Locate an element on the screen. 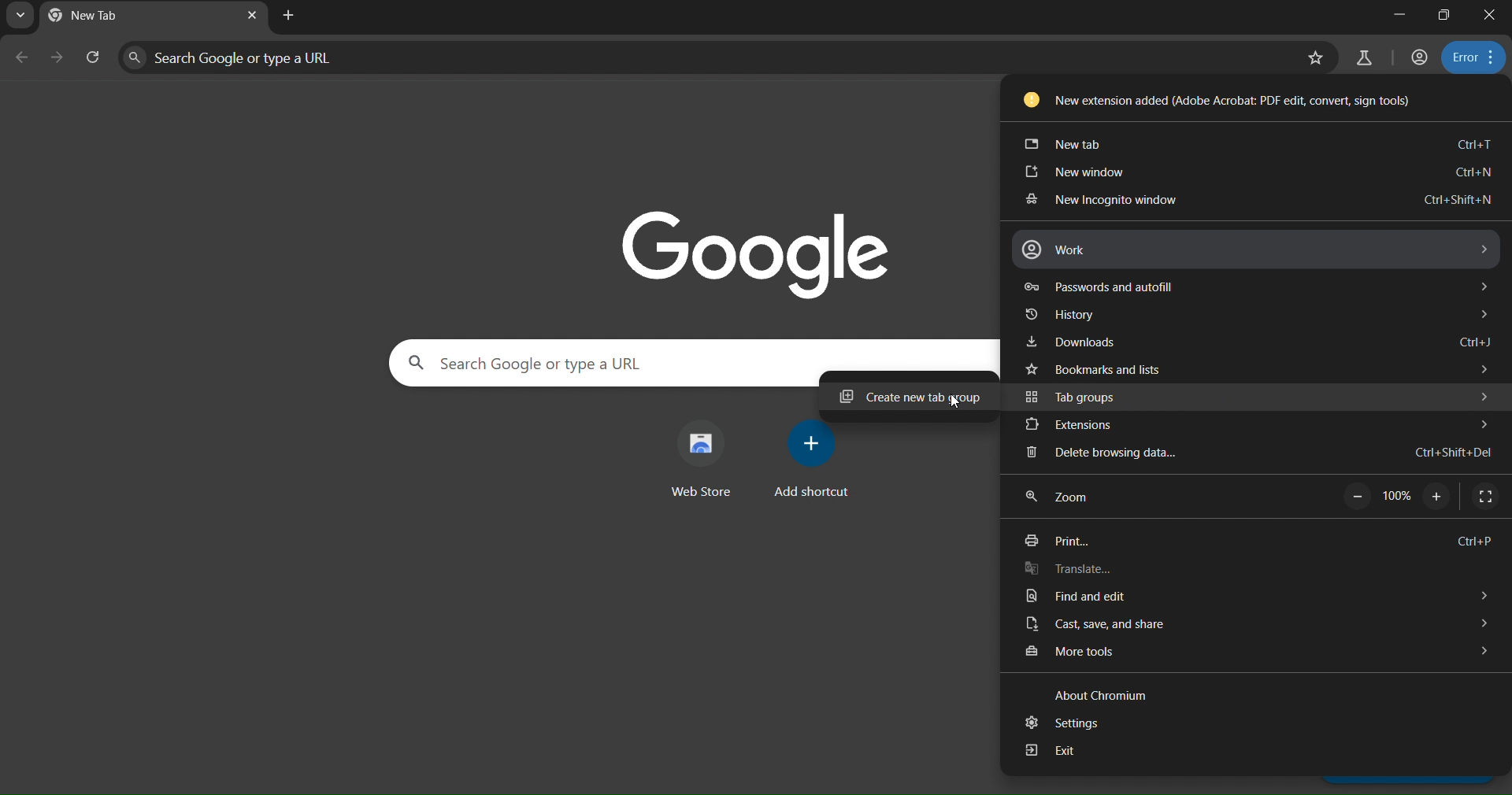 The image size is (1512, 795). translate is located at coordinates (1258, 571).